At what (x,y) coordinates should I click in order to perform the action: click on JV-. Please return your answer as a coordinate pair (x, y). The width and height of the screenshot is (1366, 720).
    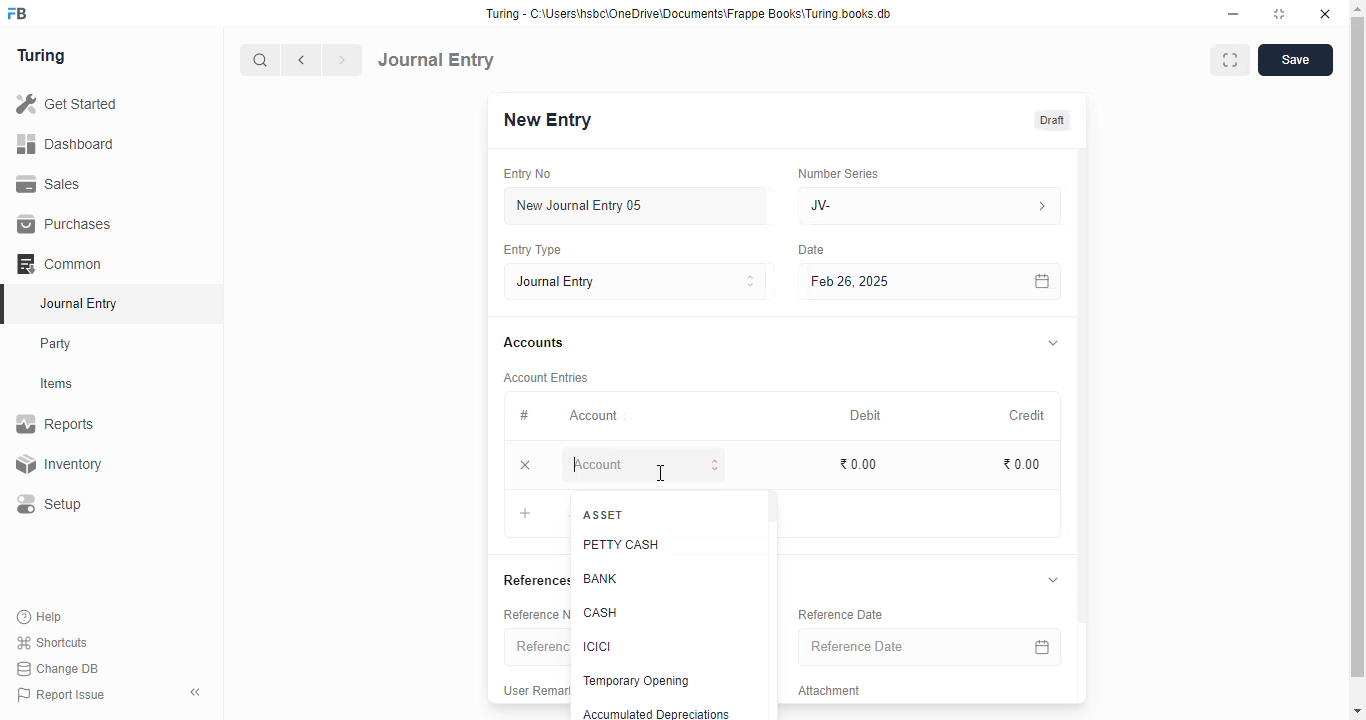
    Looking at the image, I should click on (929, 206).